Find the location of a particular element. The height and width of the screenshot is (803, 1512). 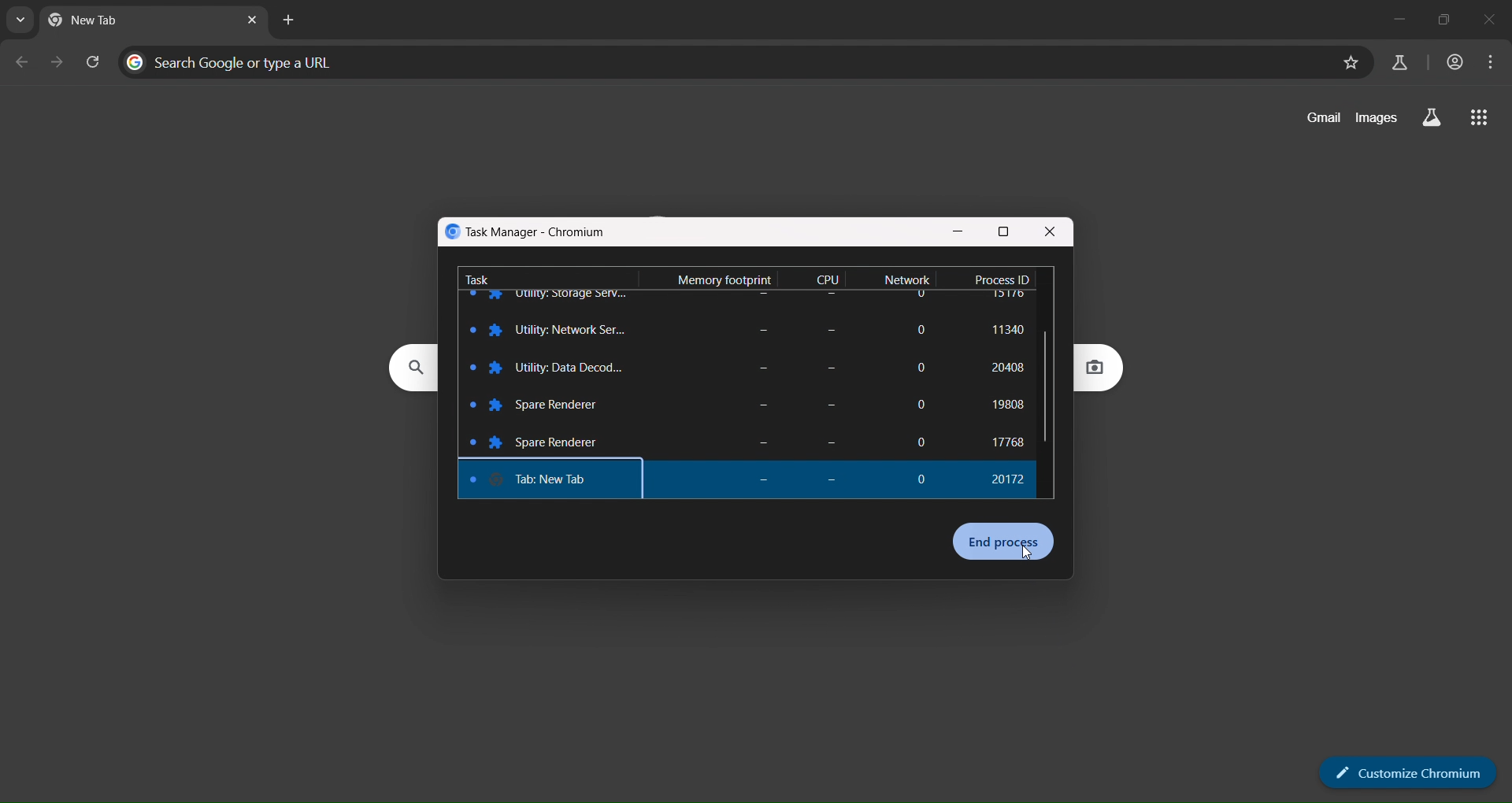

Spare Renderer is located at coordinates (563, 481).